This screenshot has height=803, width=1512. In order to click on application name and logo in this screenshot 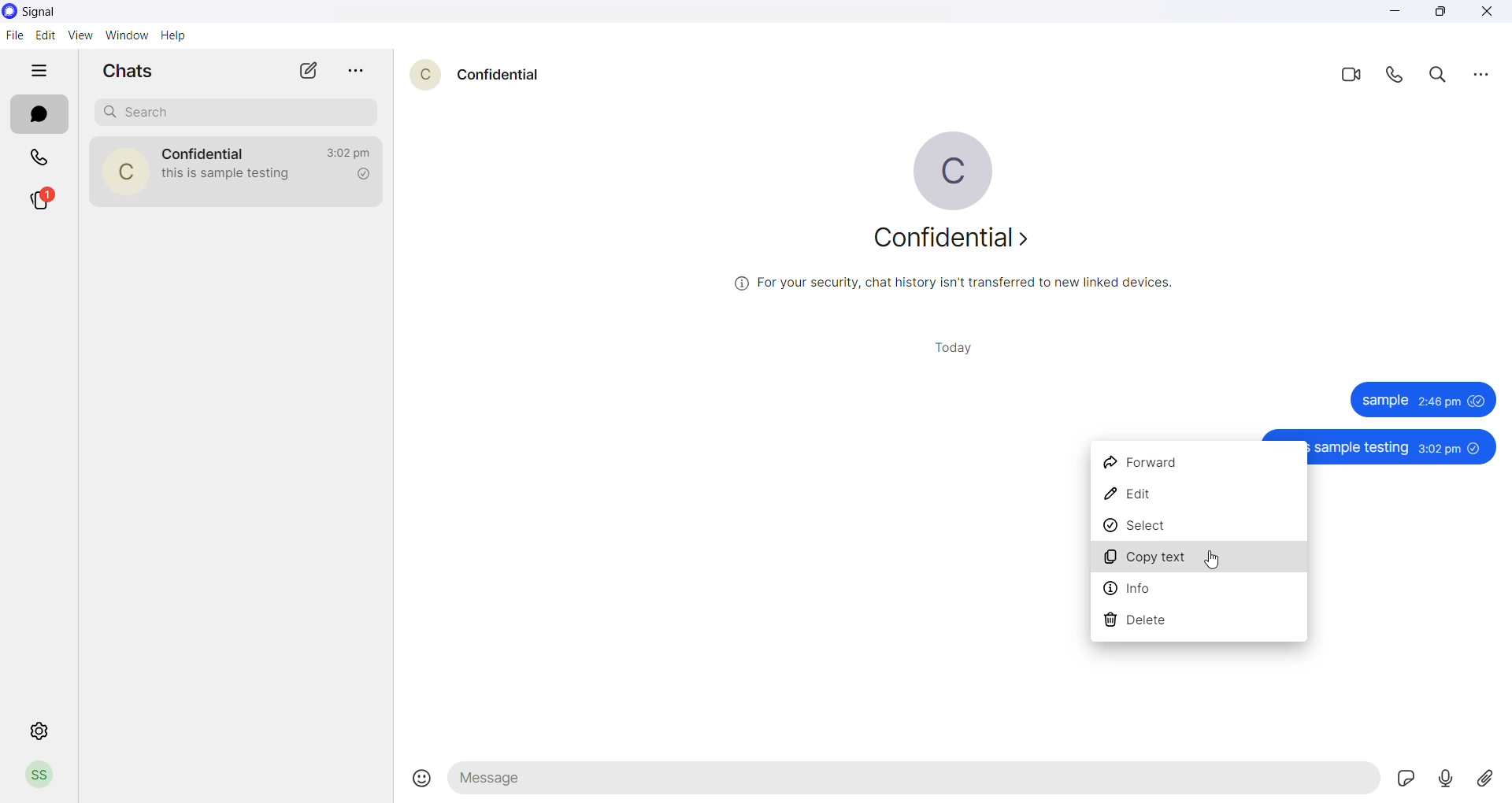, I will do `click(45, 11)`.